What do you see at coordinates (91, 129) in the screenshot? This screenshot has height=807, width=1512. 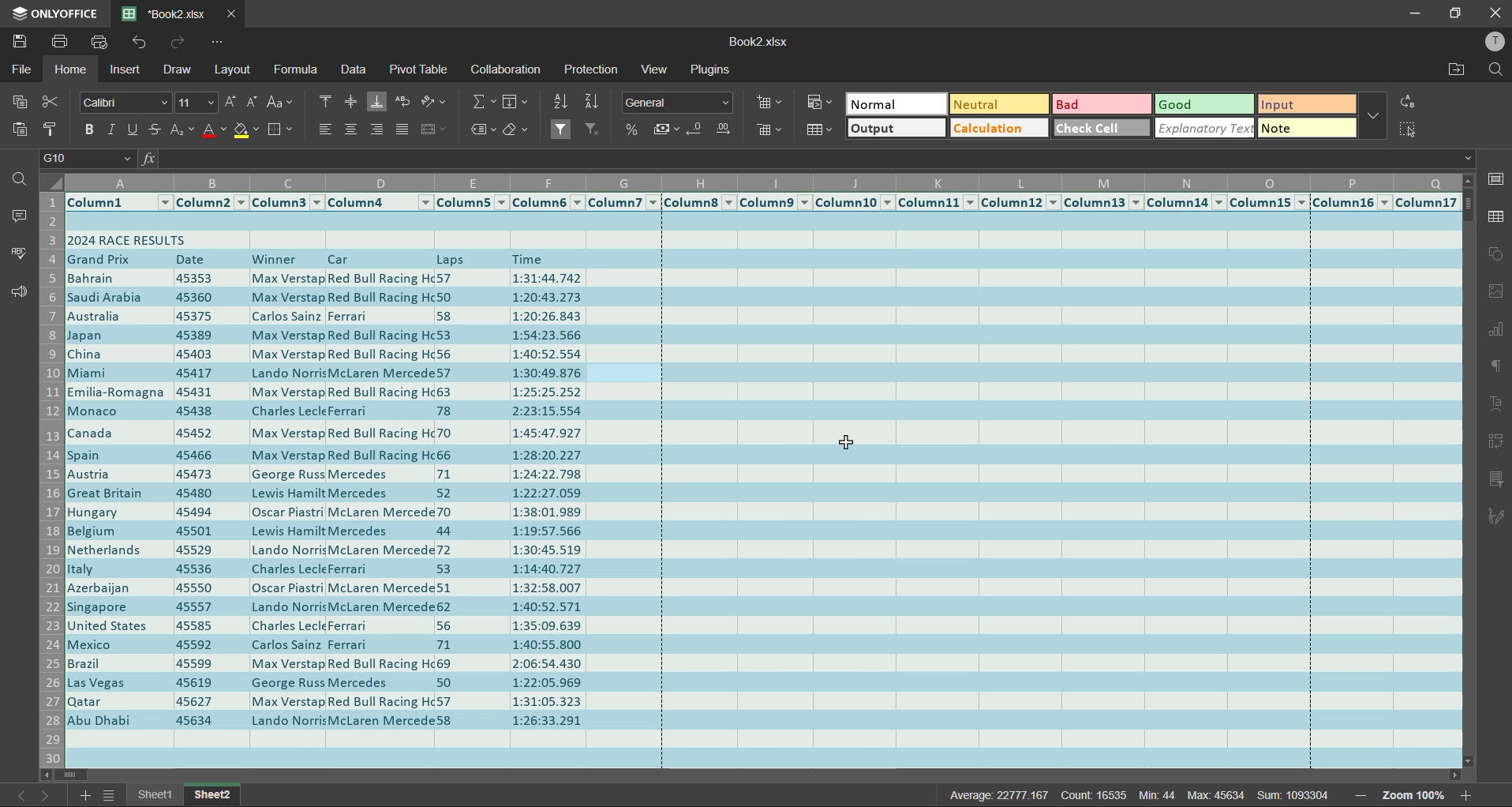 I see `bold` at bounding box center [91, 129].